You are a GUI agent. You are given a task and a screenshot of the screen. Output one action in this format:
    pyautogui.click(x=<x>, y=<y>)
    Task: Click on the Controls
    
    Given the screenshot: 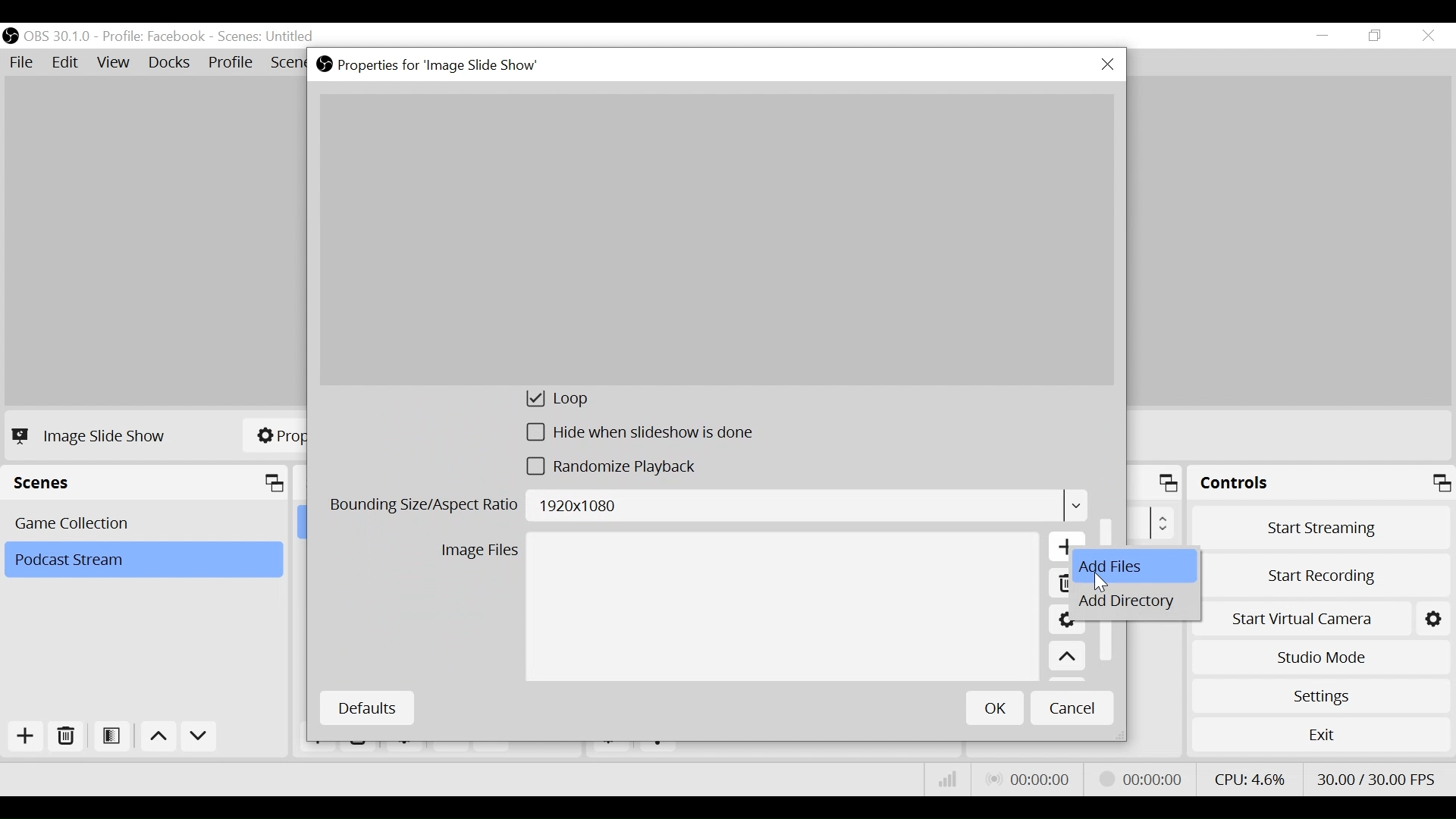 What is the action you would take?
    pyautogui.click(x=1321, y=485)
    